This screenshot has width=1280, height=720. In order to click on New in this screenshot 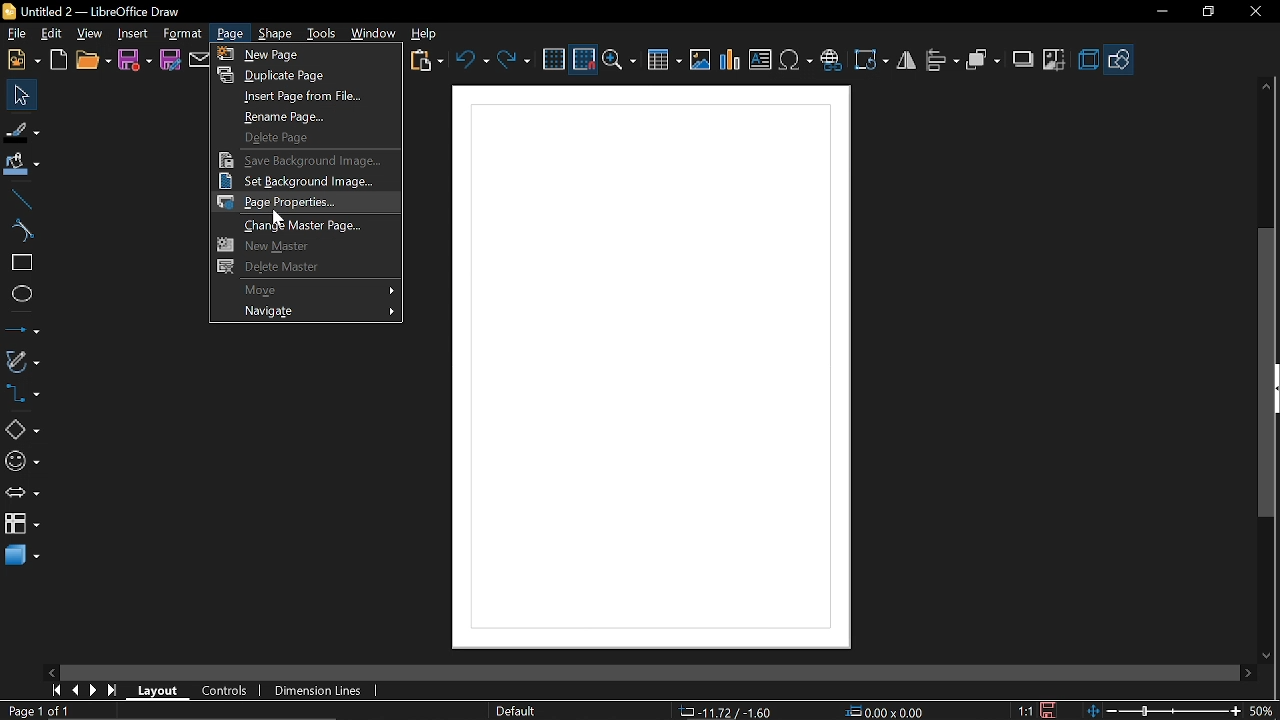, I will do `click(24, 60)`.